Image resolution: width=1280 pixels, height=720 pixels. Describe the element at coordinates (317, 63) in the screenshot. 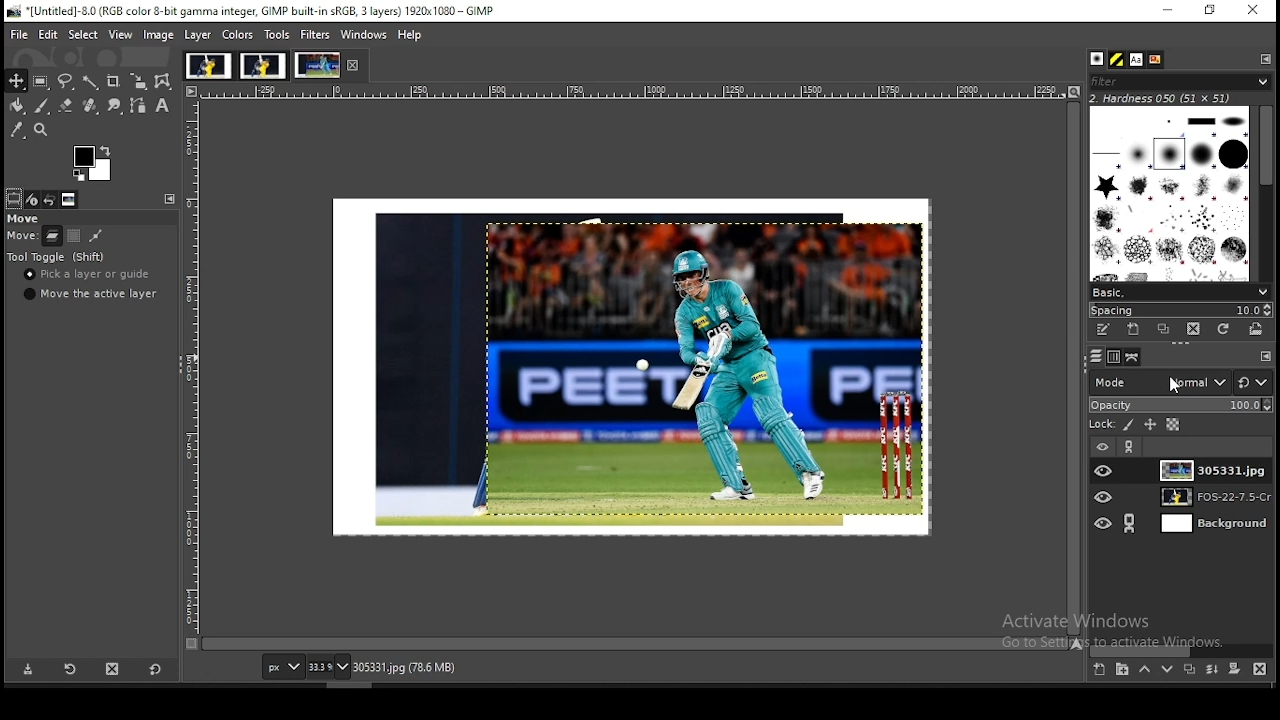

I see `image` at that location.